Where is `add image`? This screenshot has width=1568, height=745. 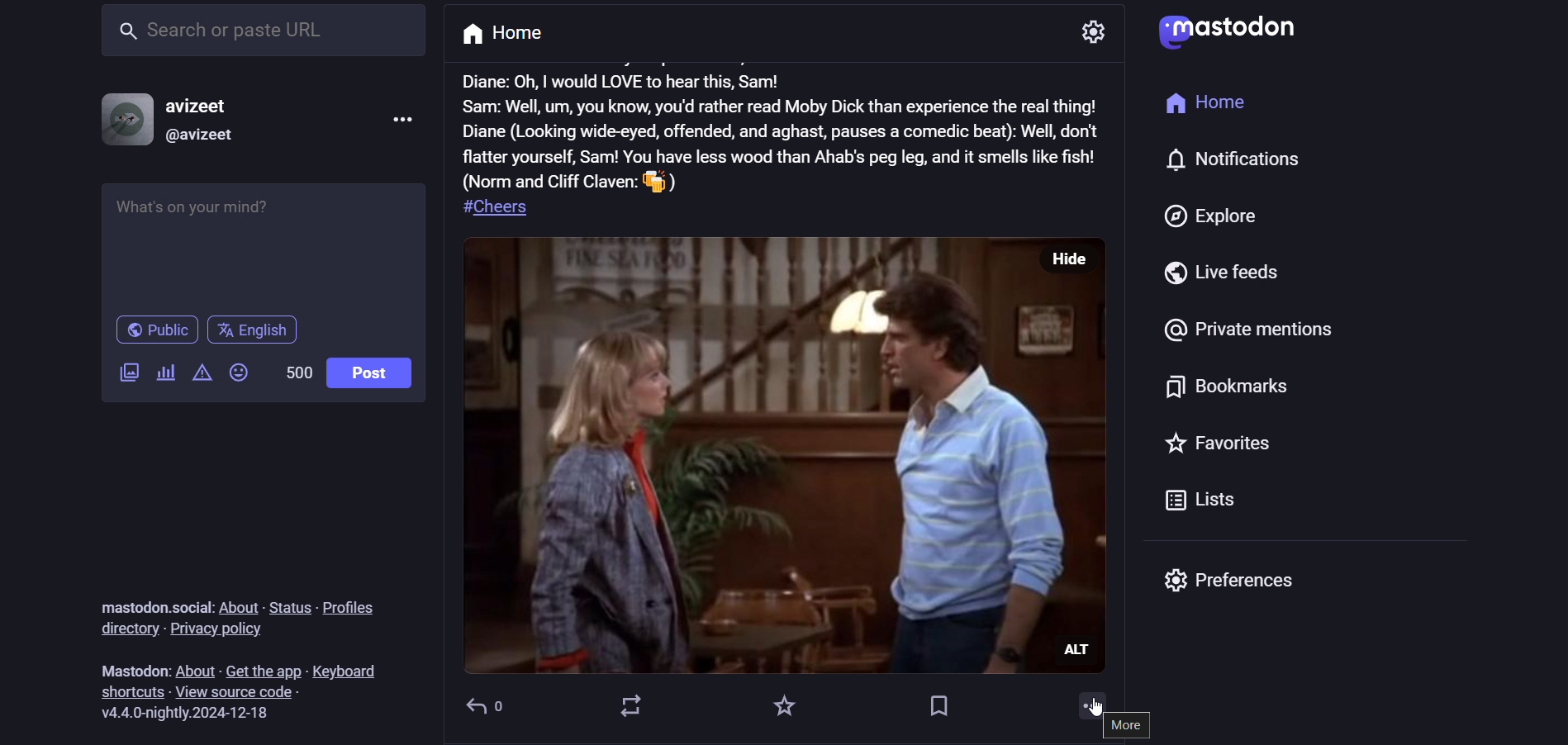
add image is located at coordinates (130, 370).